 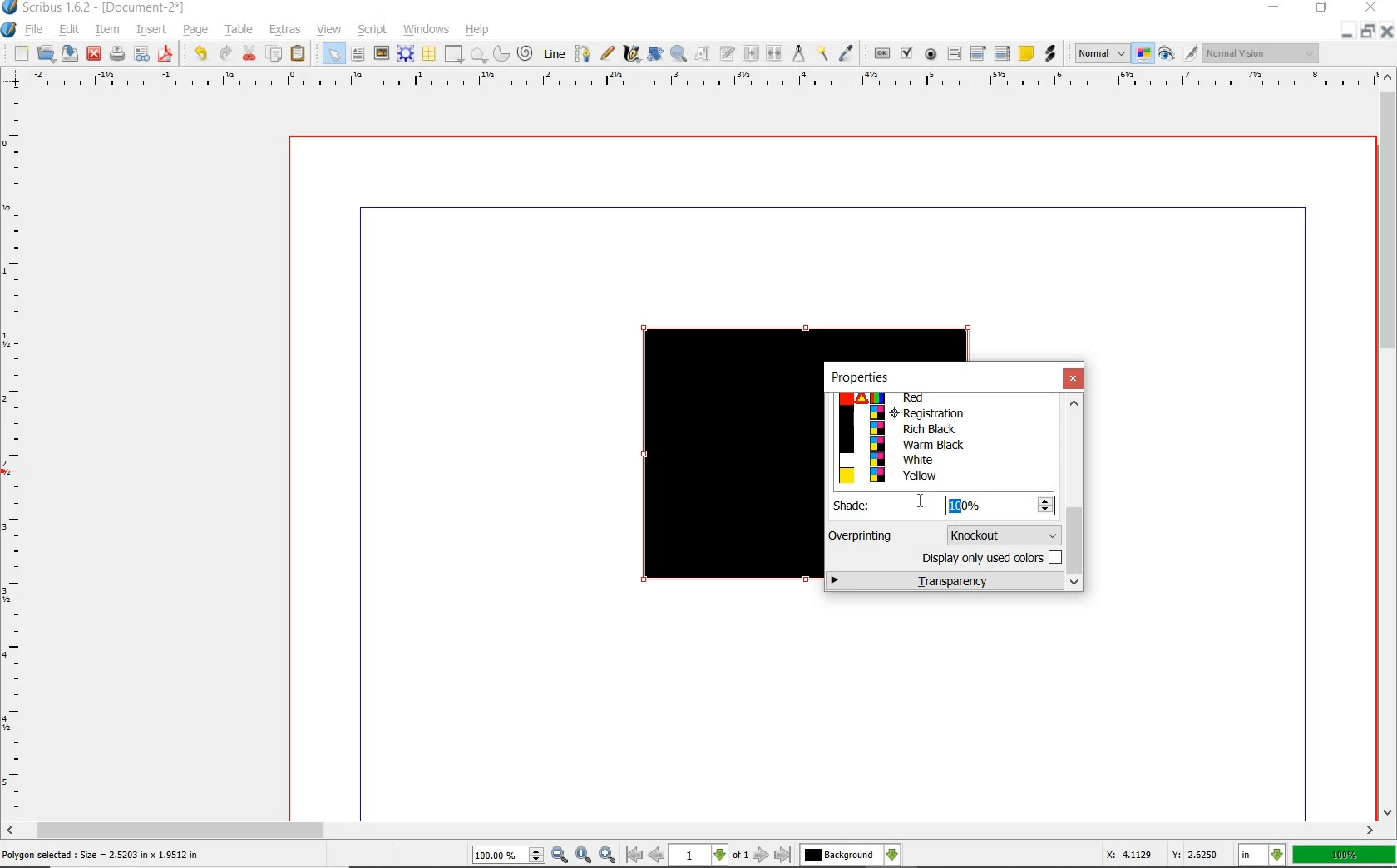 I want to click on table, so click(x=239, y=31).